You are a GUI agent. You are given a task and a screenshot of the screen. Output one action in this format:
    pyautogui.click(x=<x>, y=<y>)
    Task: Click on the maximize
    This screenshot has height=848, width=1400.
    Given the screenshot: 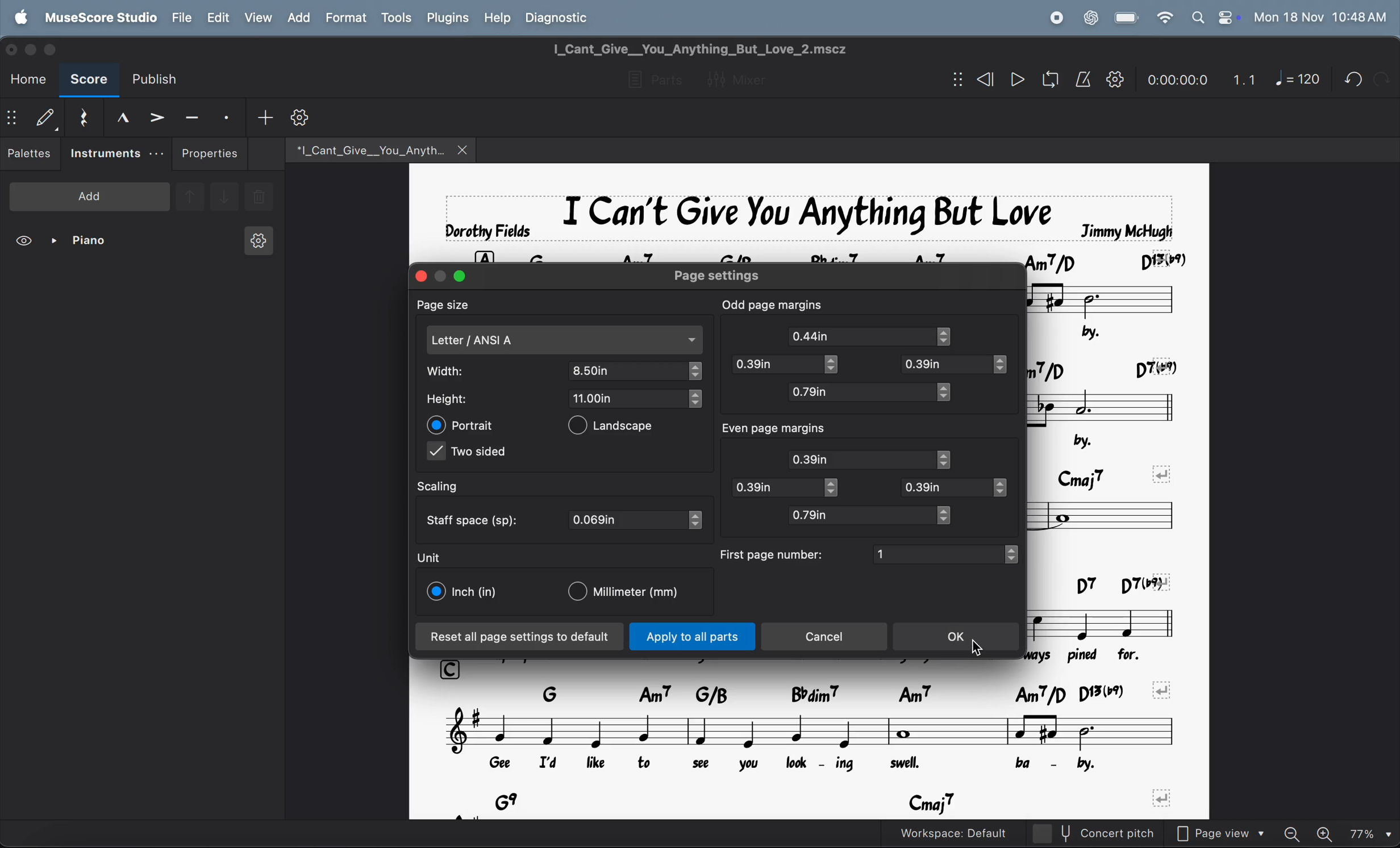 What is the action you would take?
    pyautogui.click(x=461, y=276)
    